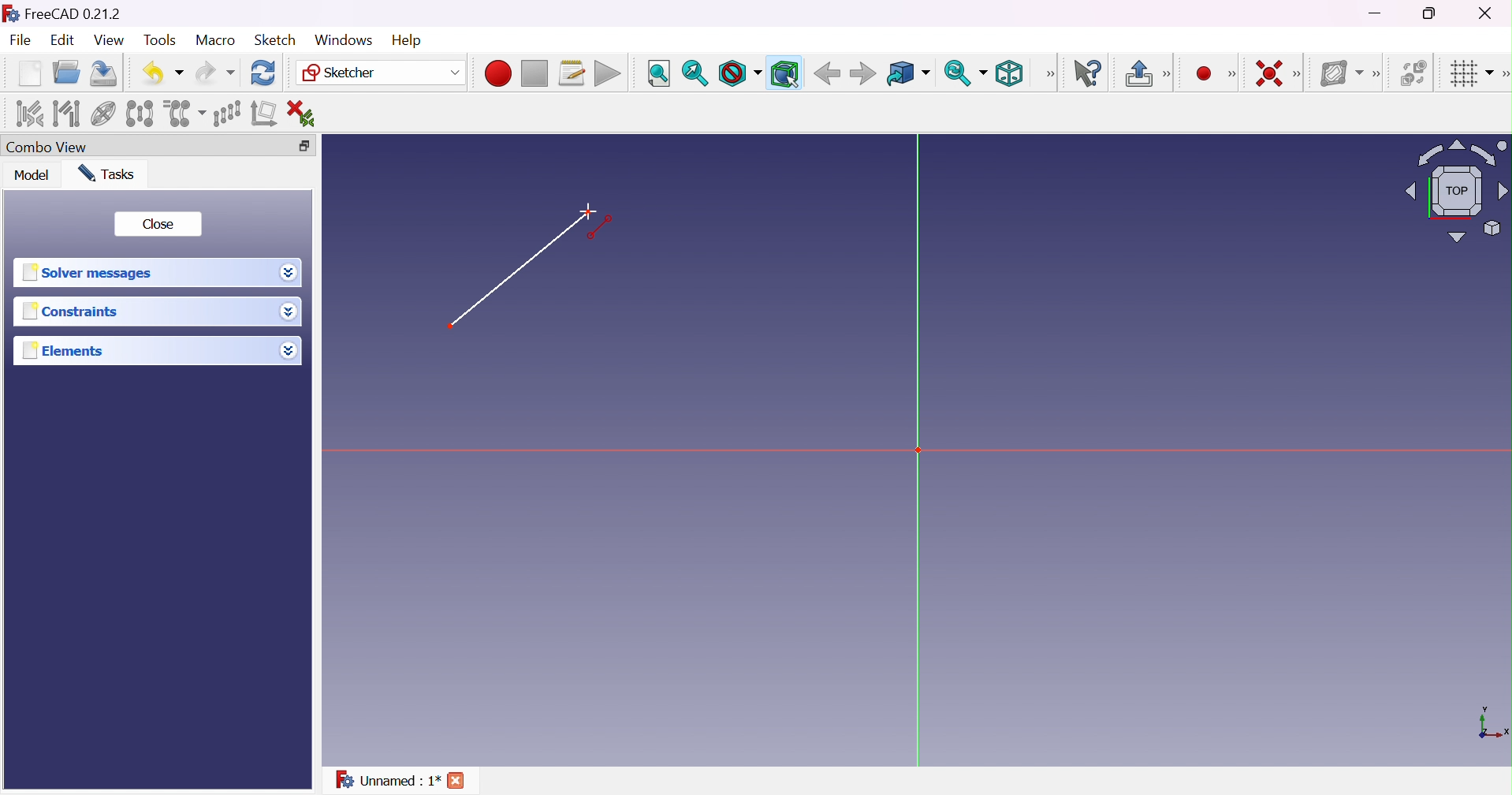 This screenshot has height=795, width=1512. I want to click on Switch virtual space, so click(1415, 73).